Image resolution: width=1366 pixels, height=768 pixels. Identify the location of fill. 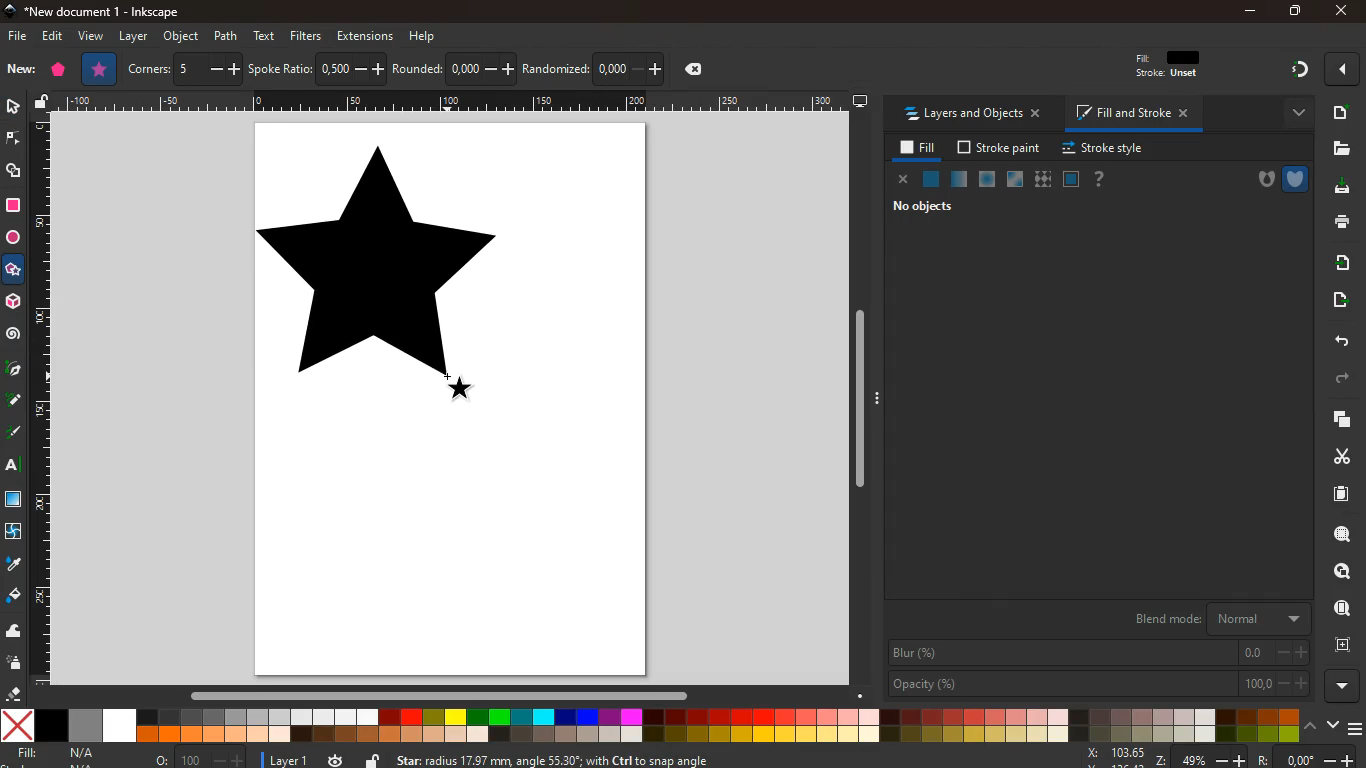
(55, 753).